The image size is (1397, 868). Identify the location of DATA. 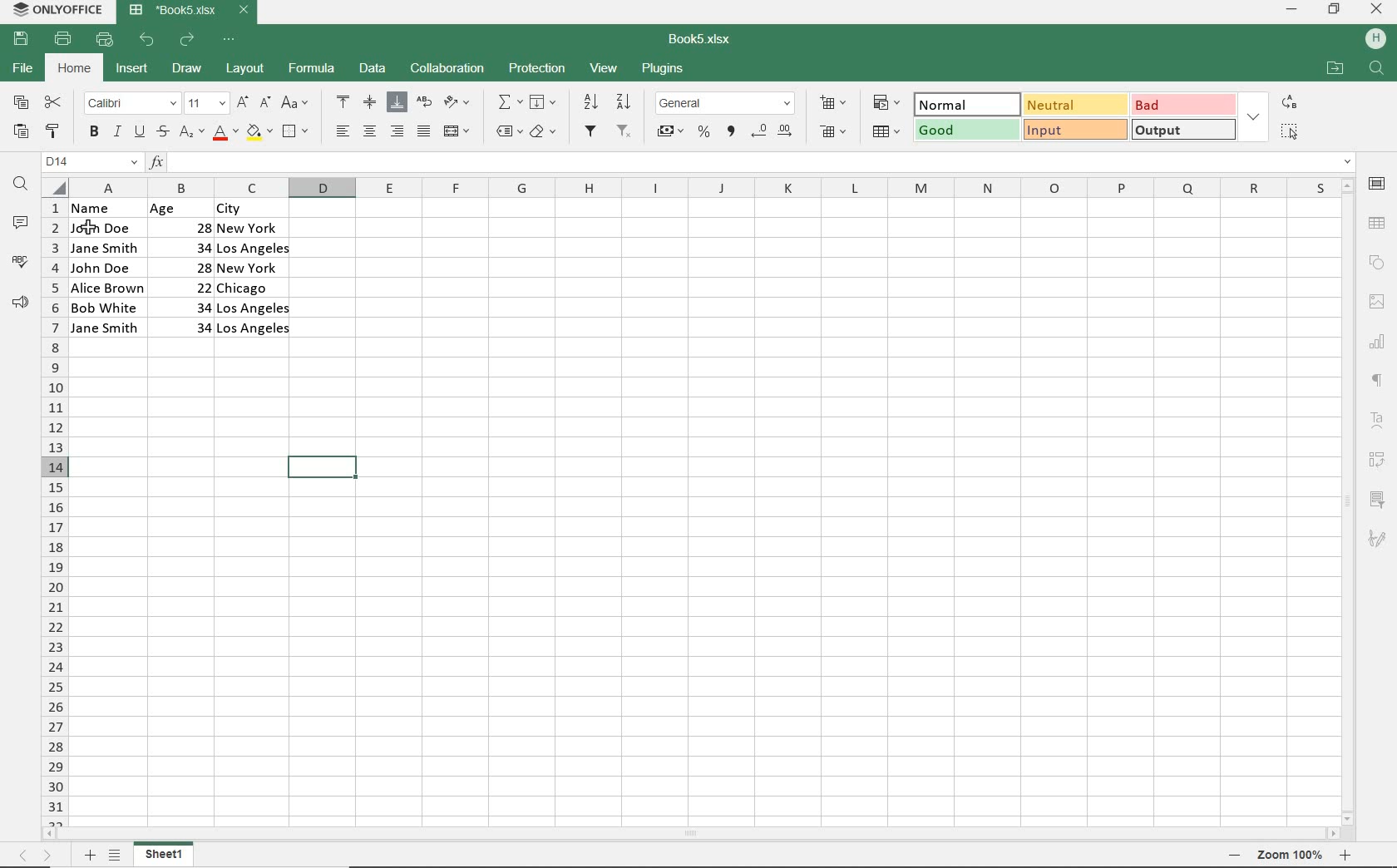
(192, 271).